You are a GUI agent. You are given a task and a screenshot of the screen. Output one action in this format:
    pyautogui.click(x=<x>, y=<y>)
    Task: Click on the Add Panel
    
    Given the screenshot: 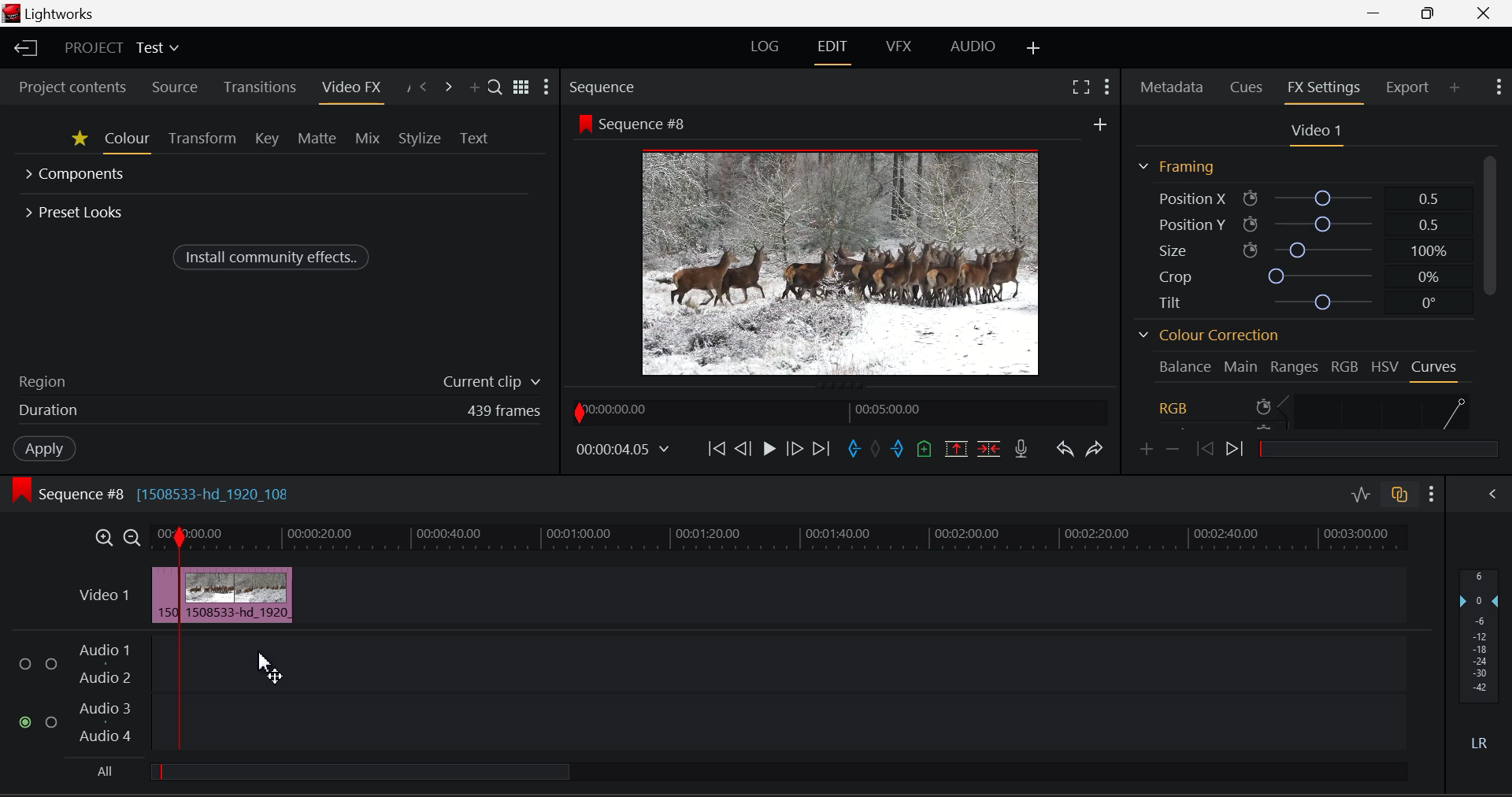 What is the action you would take?
    pyautogui.click(x=1455, y=87)
    